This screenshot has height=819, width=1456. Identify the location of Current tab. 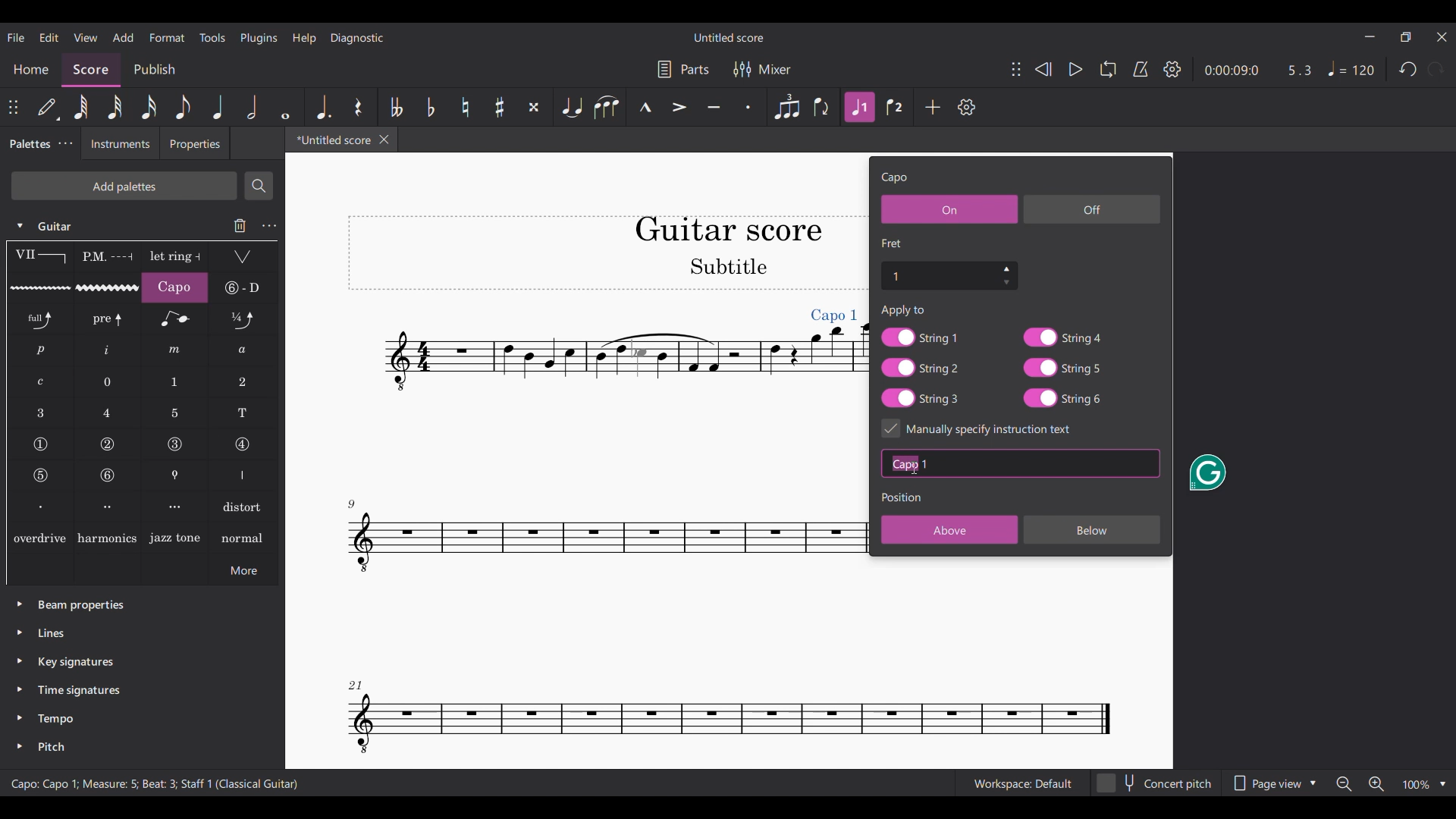
(330, 140).